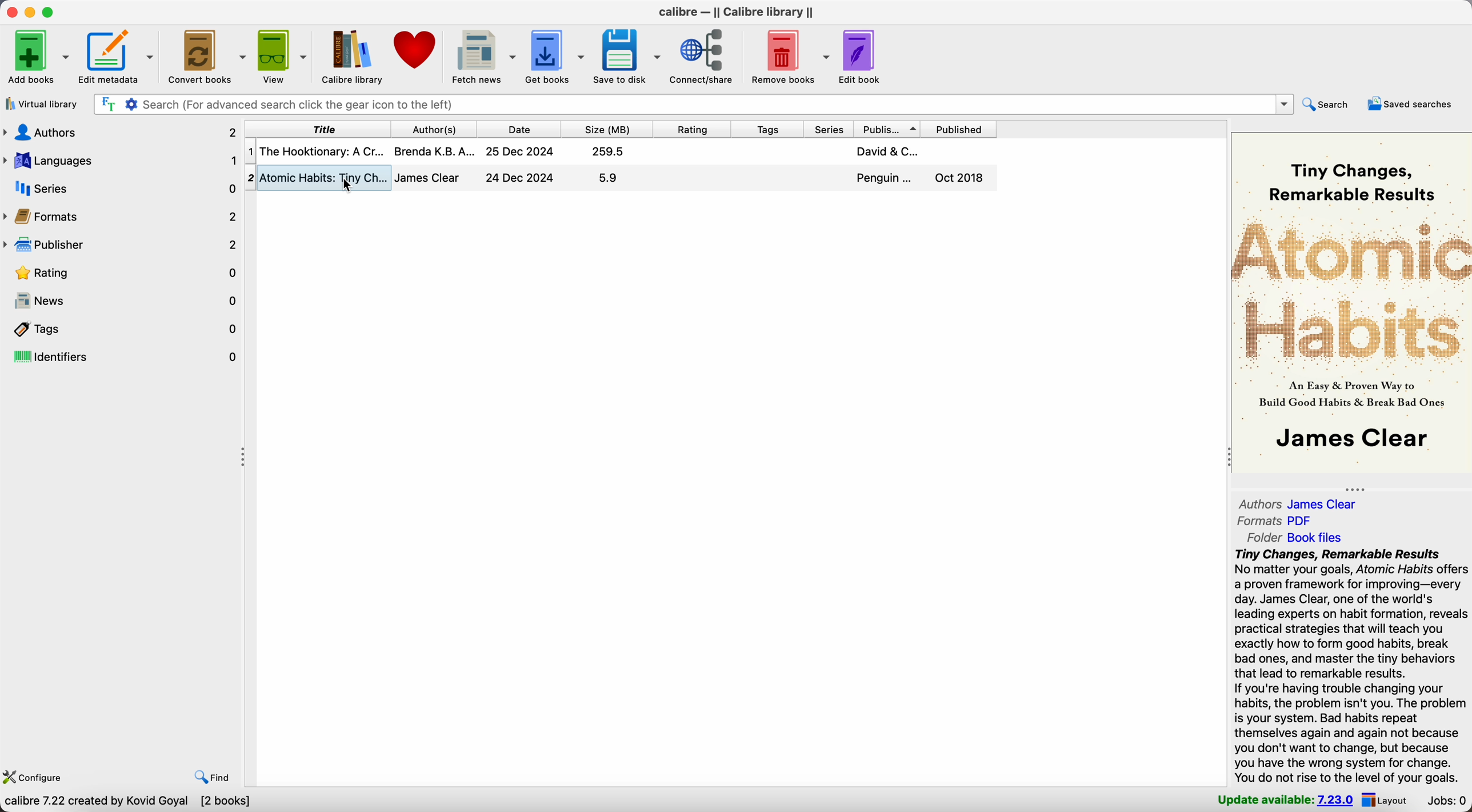  Describe the element at coordinates (484, 56) in the screenshot. I see `fetch news` at that location.